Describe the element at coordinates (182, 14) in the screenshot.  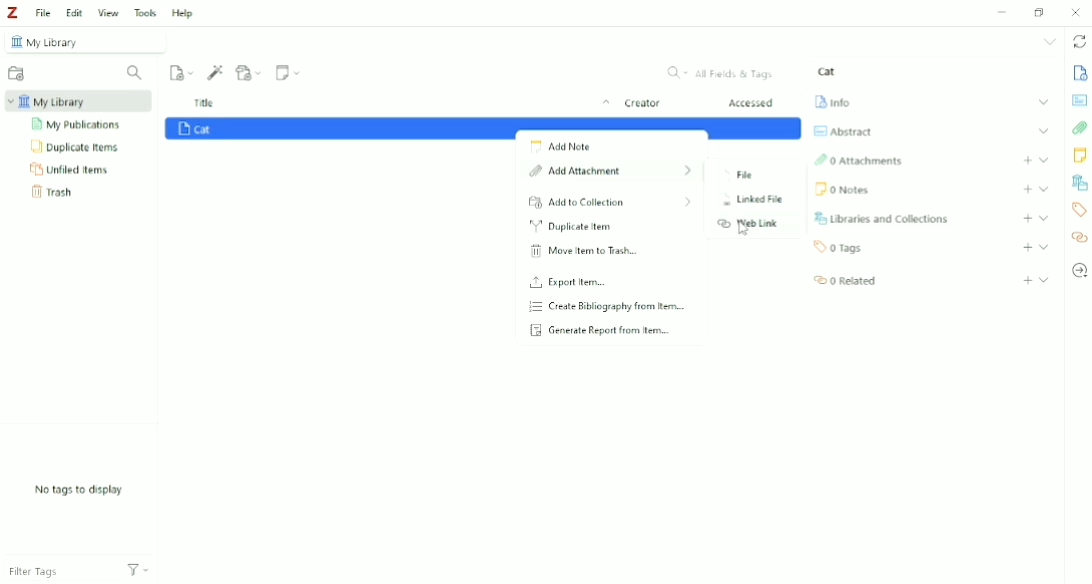
I see `Help` at that location.